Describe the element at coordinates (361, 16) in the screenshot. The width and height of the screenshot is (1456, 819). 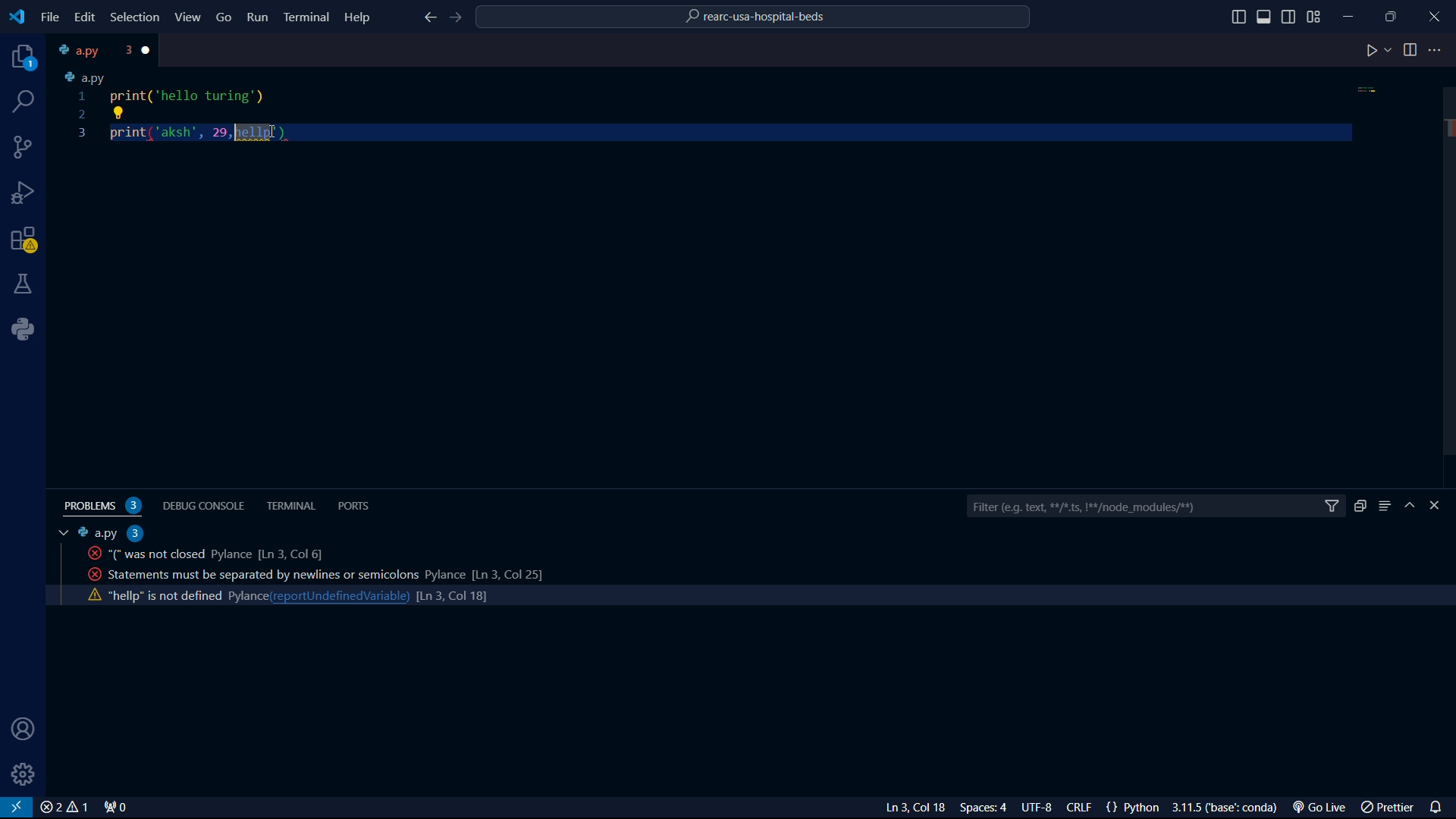
I see `Help` at that location.